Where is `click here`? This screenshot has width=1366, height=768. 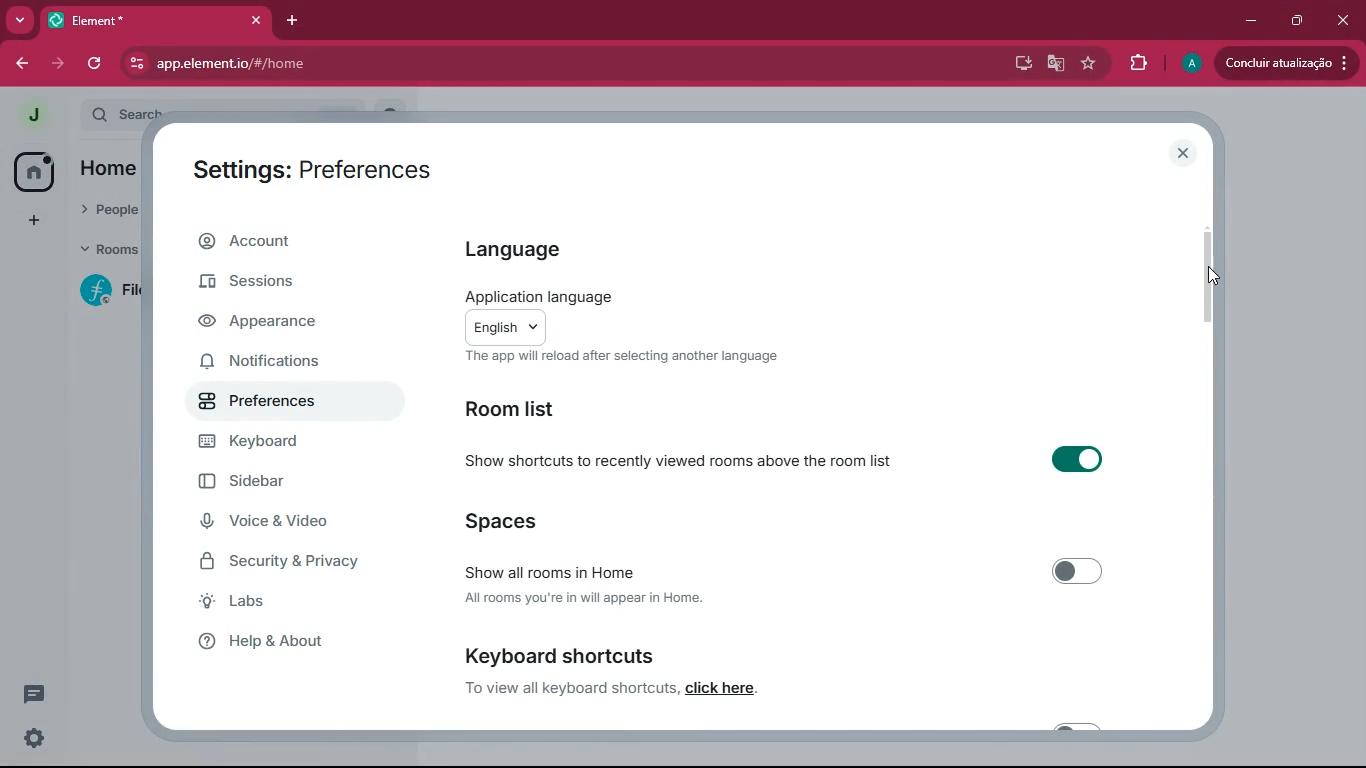 click here is located at coordinates (729, 692).